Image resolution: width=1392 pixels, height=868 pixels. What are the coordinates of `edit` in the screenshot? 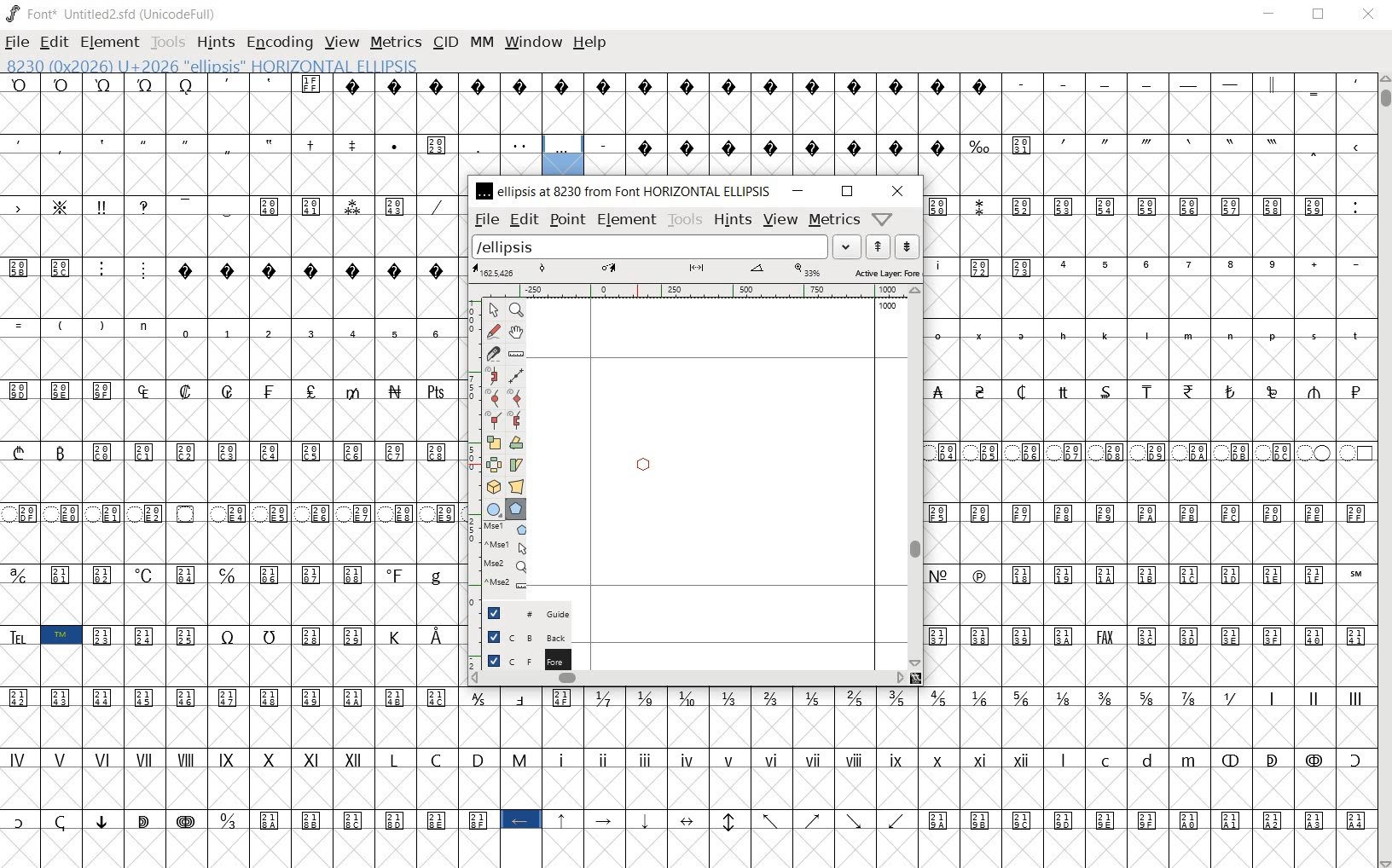 It's located at (522, 219).